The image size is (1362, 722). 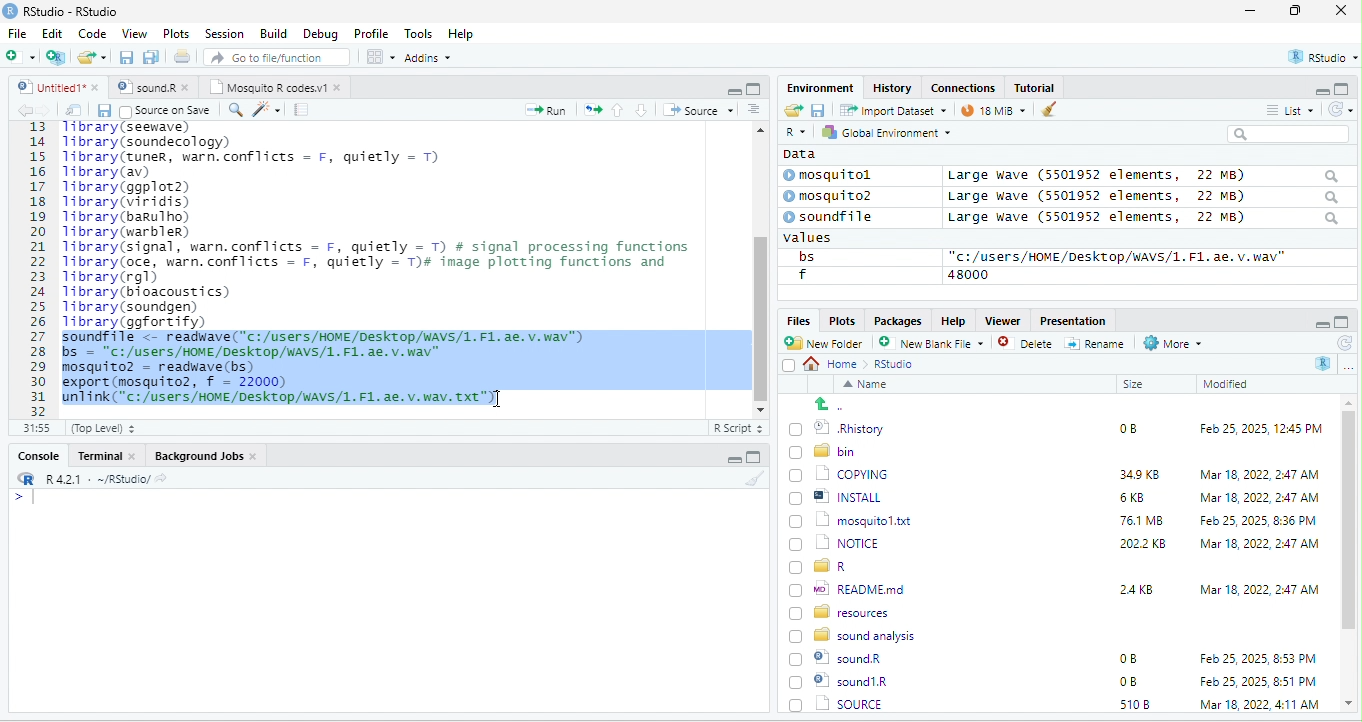 What do you see at coordinates (20, 500) in the screenshot?
I see `syntax` at bounding box center [20, 500].